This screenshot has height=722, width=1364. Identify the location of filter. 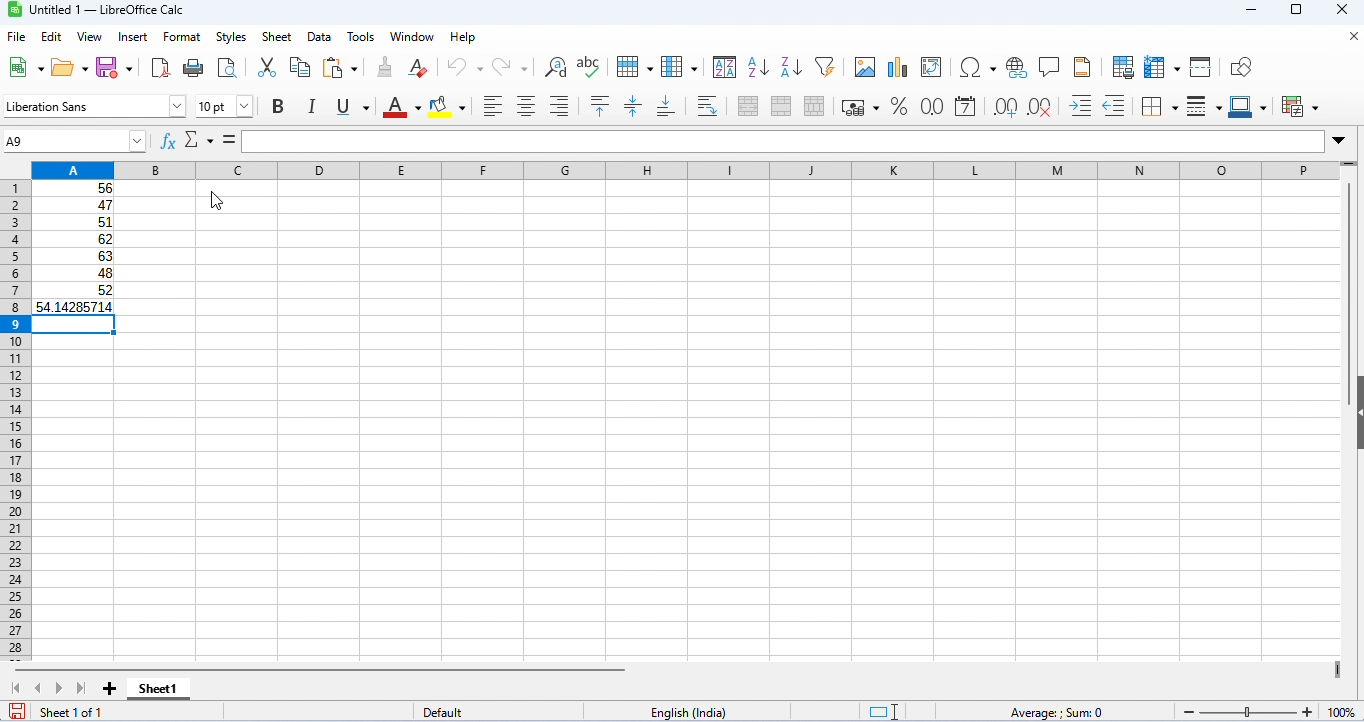
(825, 65).